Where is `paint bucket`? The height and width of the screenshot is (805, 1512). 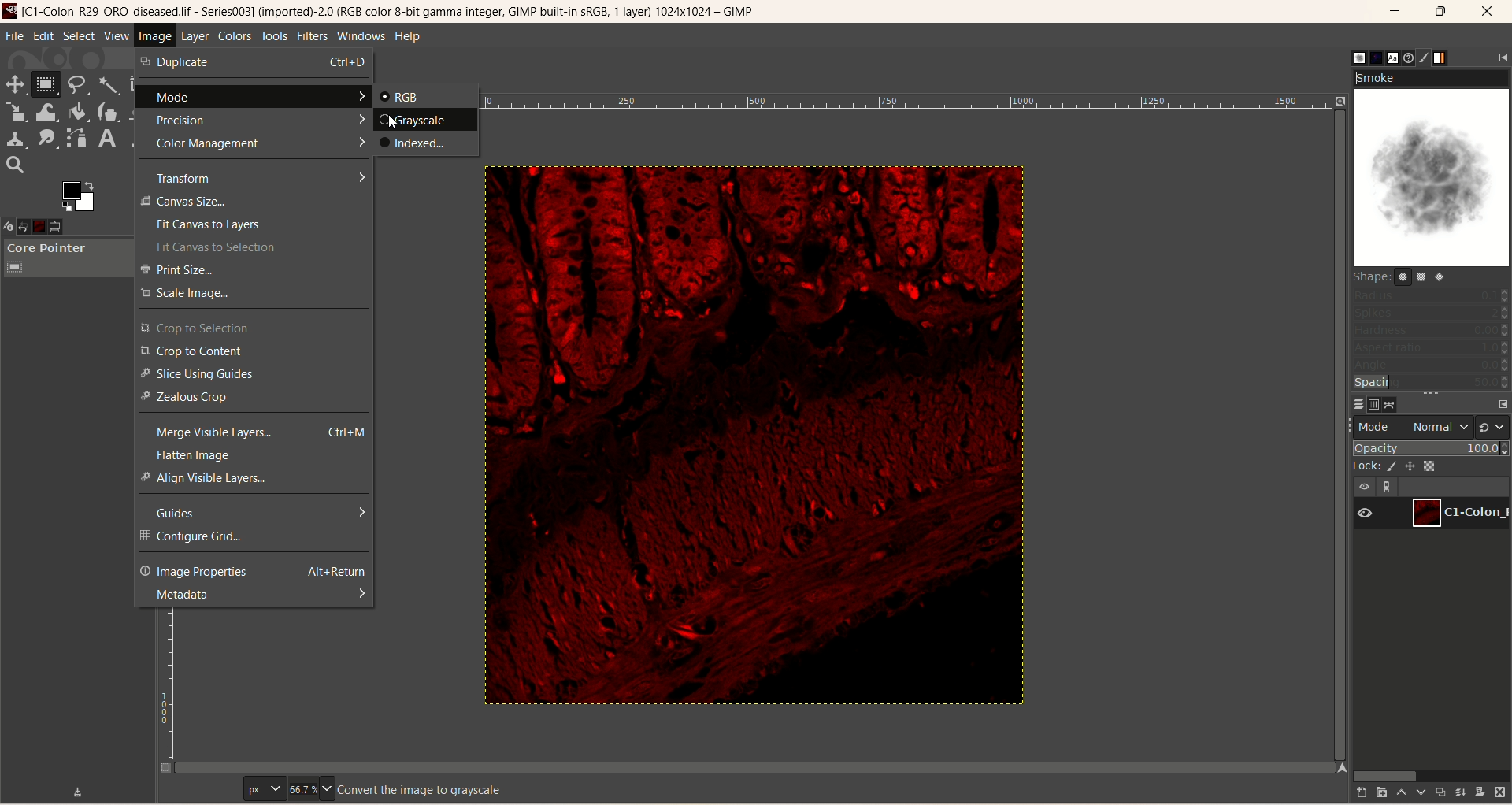 paint bucket is located at coordinates (77, 112).